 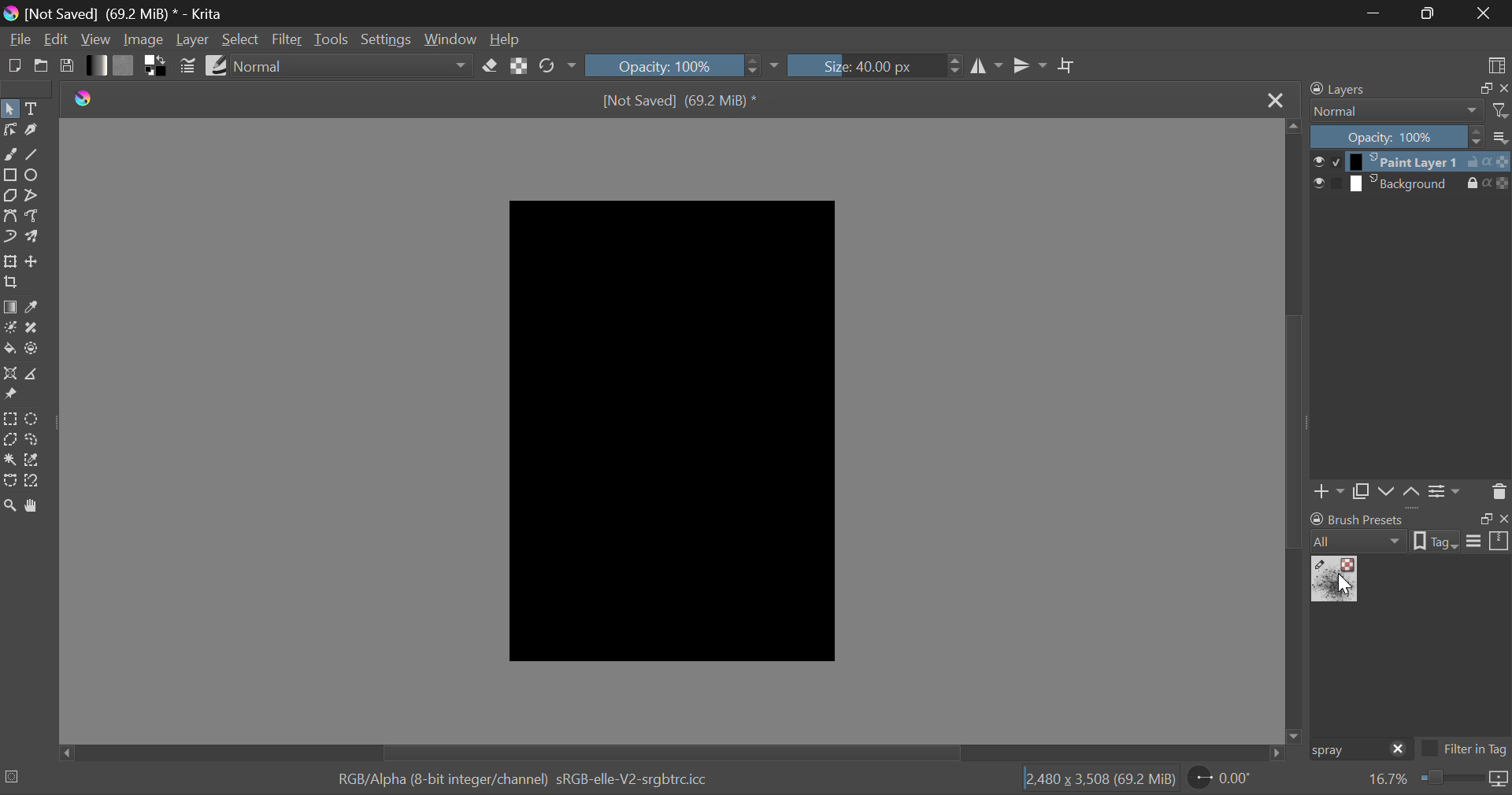 I want to click on all, so click(x=1360, y=542).